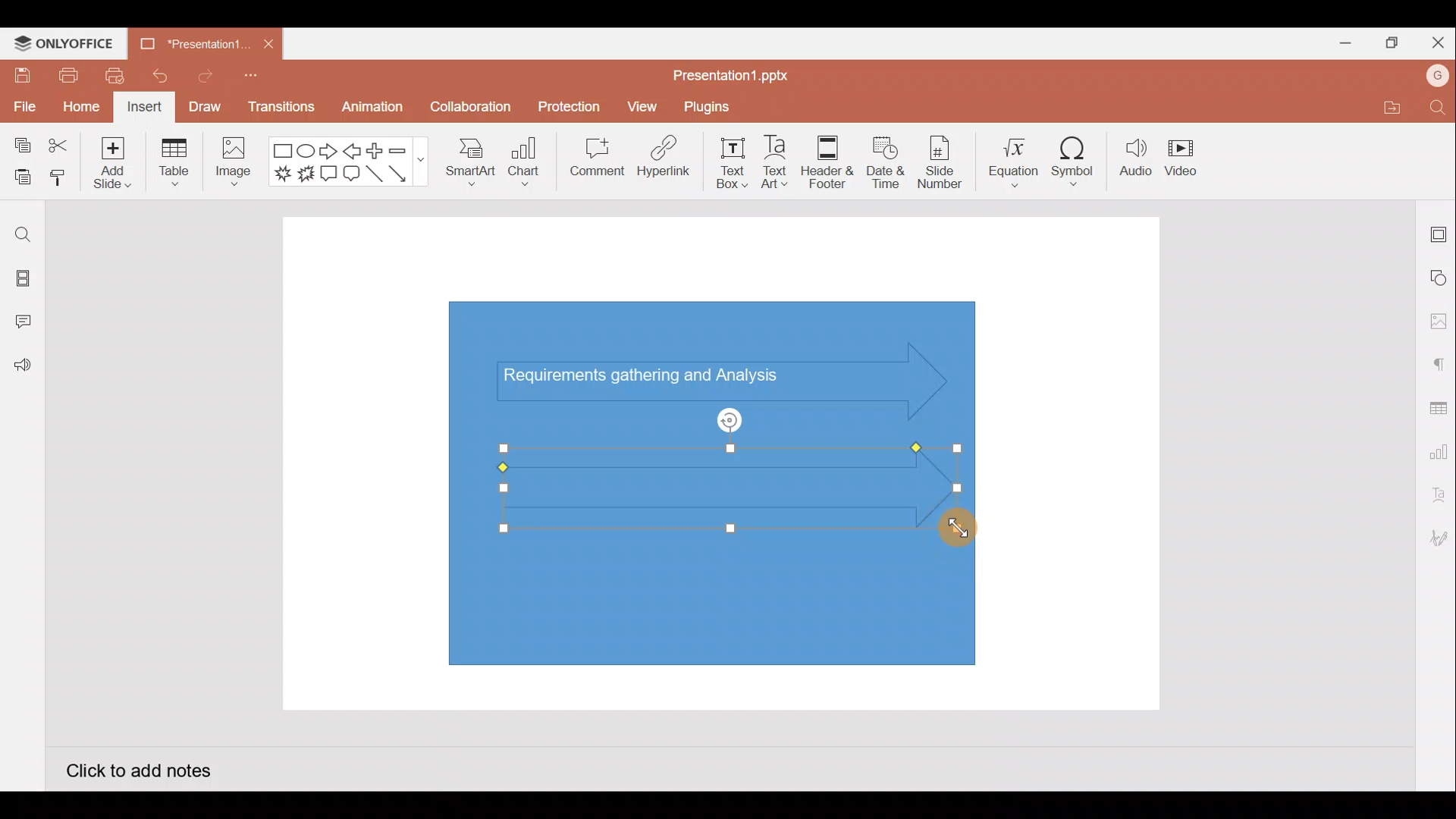 The width and height of the screenshot is (1456, 819). Describe the element at coordinates (204, 106) in the screenshot. I see `Draw` at that location.